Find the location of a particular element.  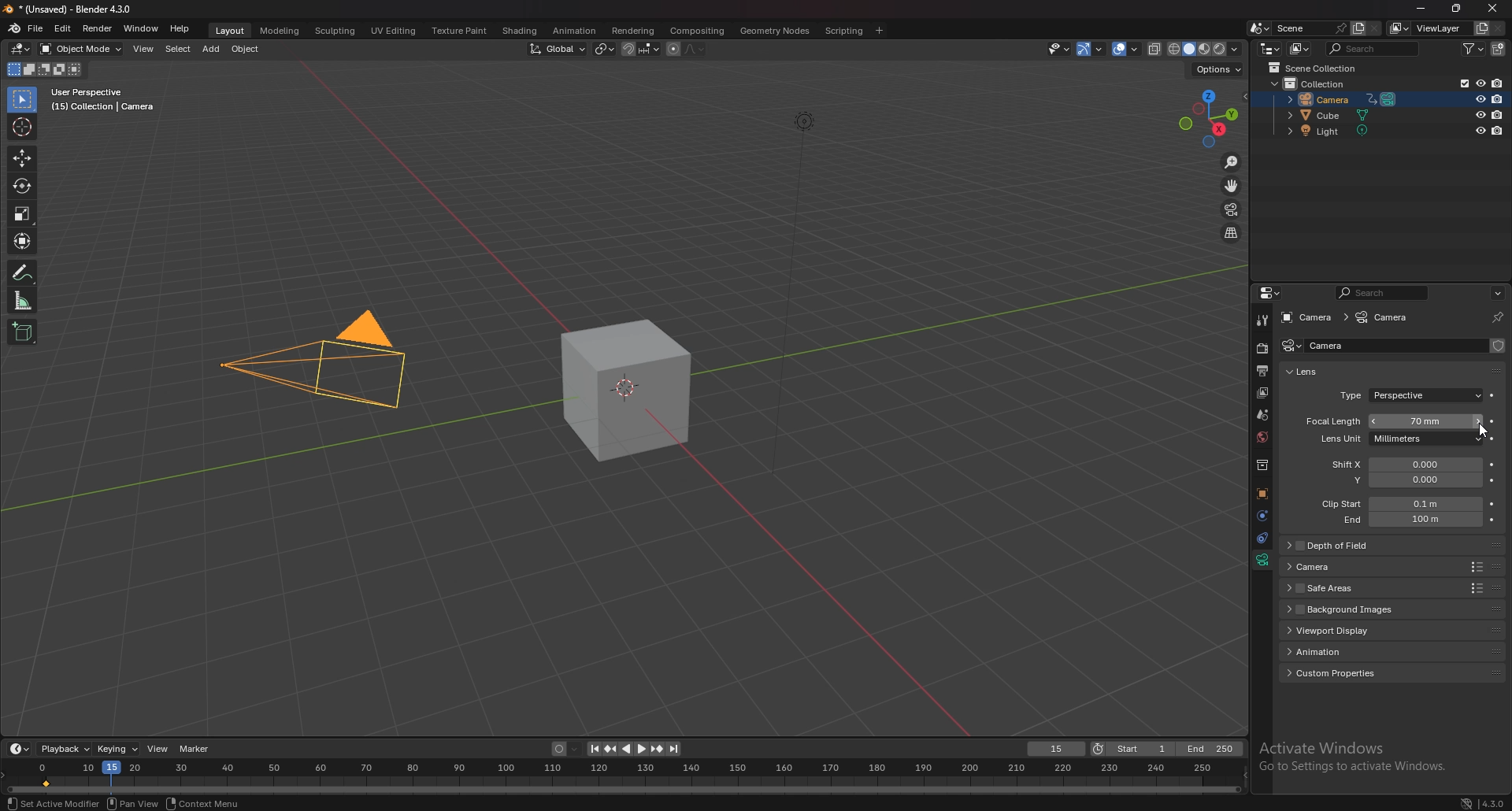

add collection is located at coordinates (1499, 48).